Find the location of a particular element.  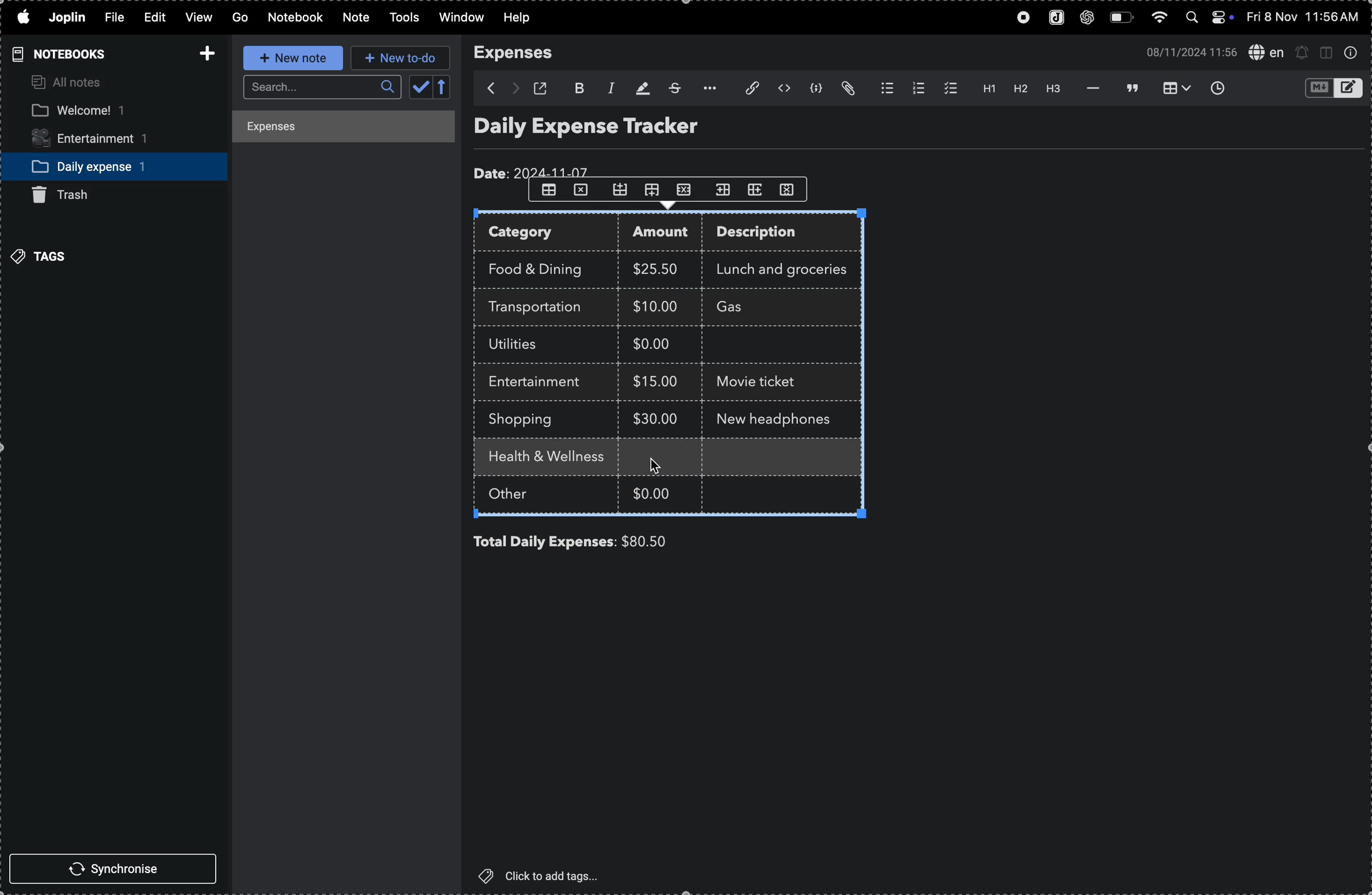

expenses file is located at coordinates (345, 127).